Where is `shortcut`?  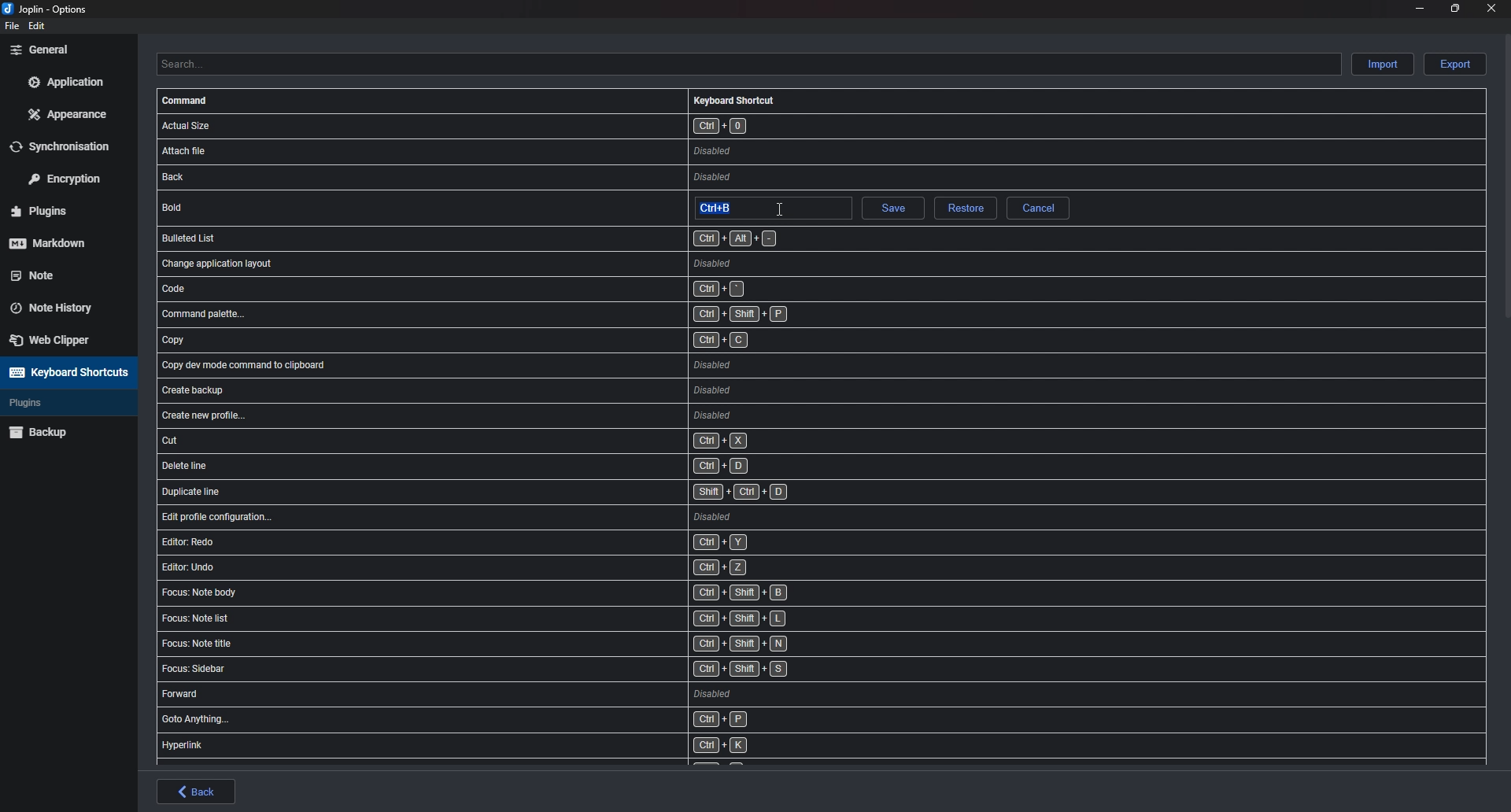
shortcut is located at coordinates (543, 516).